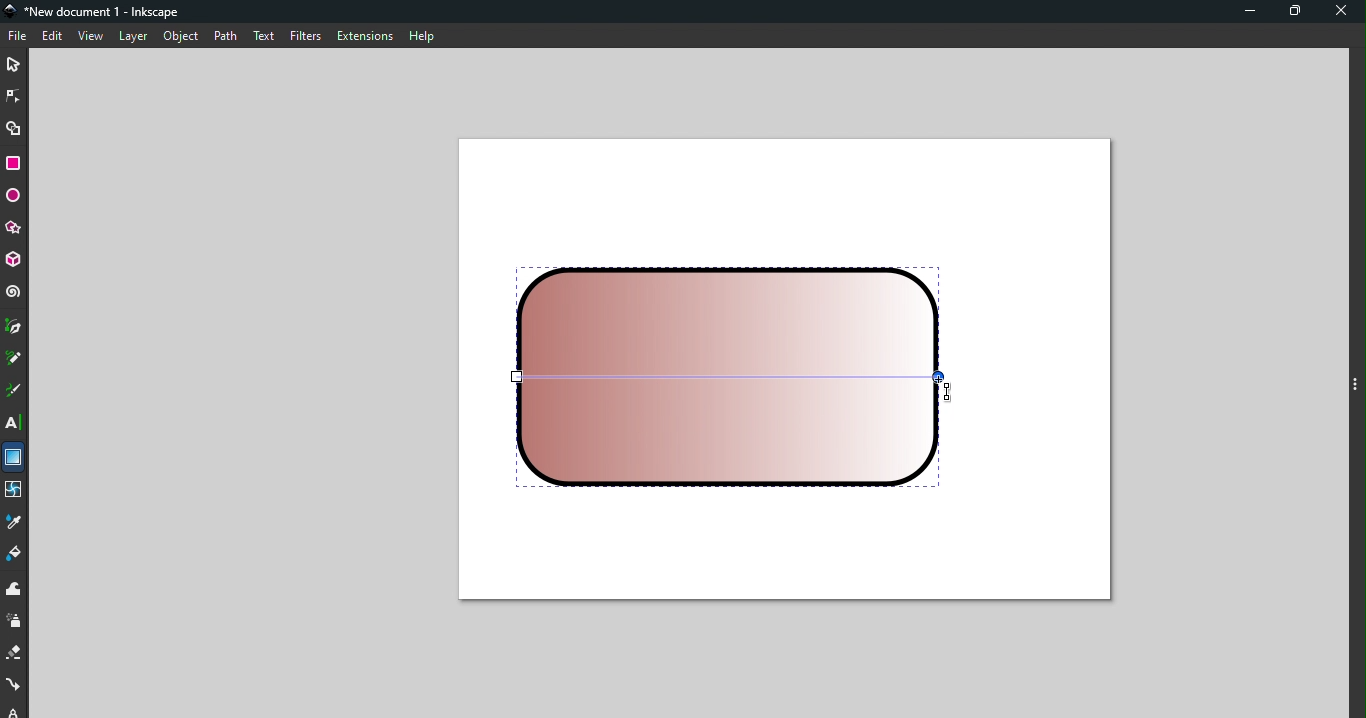 This screenshot has width=1366, height=718. I want to click on Paint bucket tool, so click(18, 557).